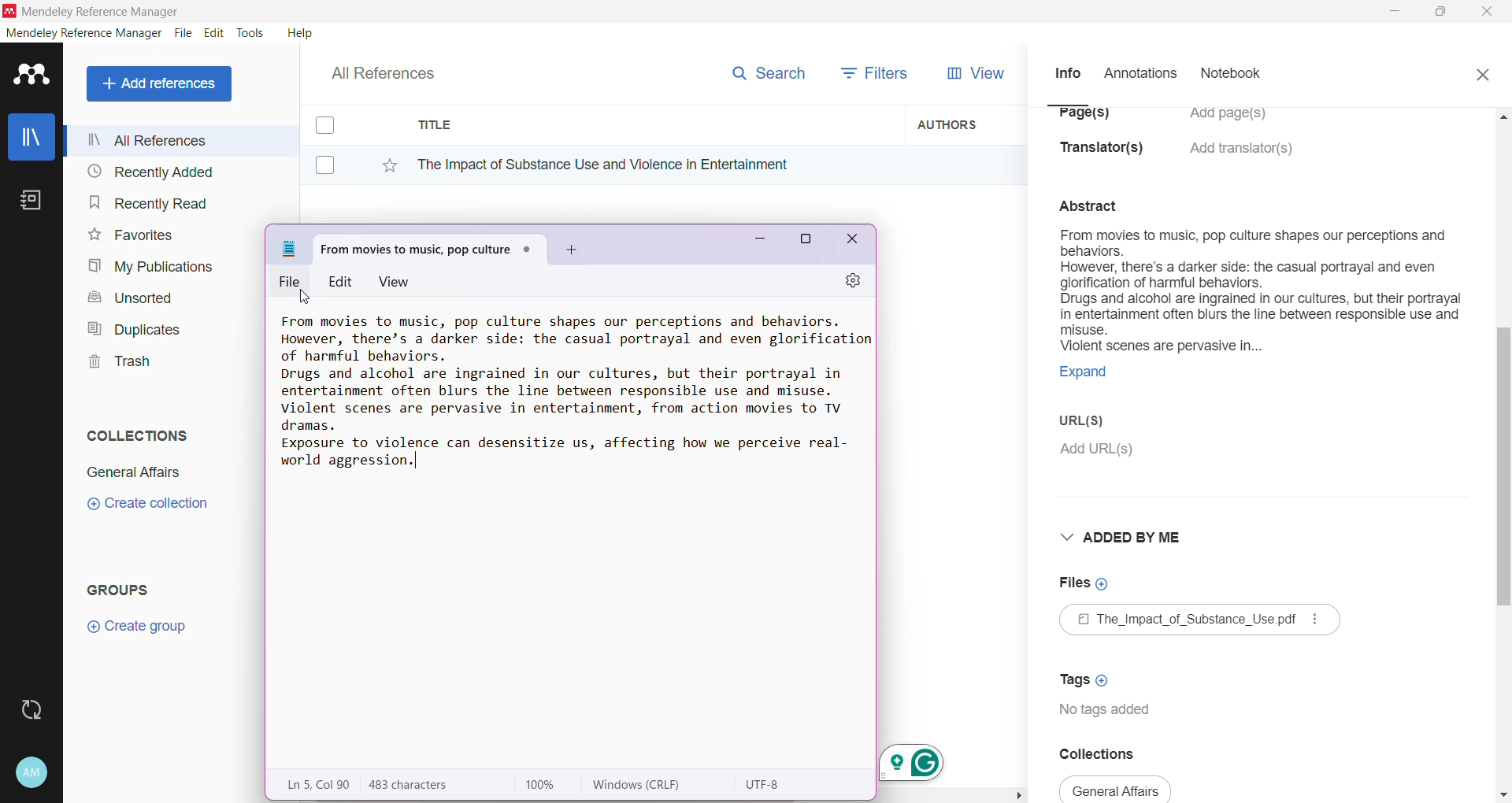 The image size is (1512, 803). I want to click on Minimize, so click(1395, 12).